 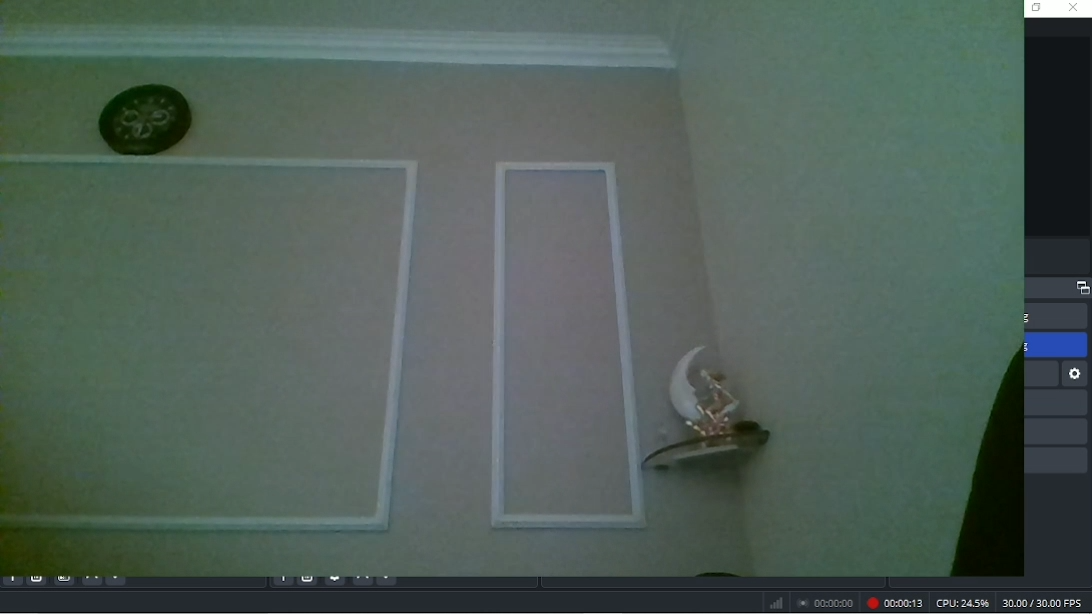 I want to click on CPU:16.4%, so click(x=963, y=604).